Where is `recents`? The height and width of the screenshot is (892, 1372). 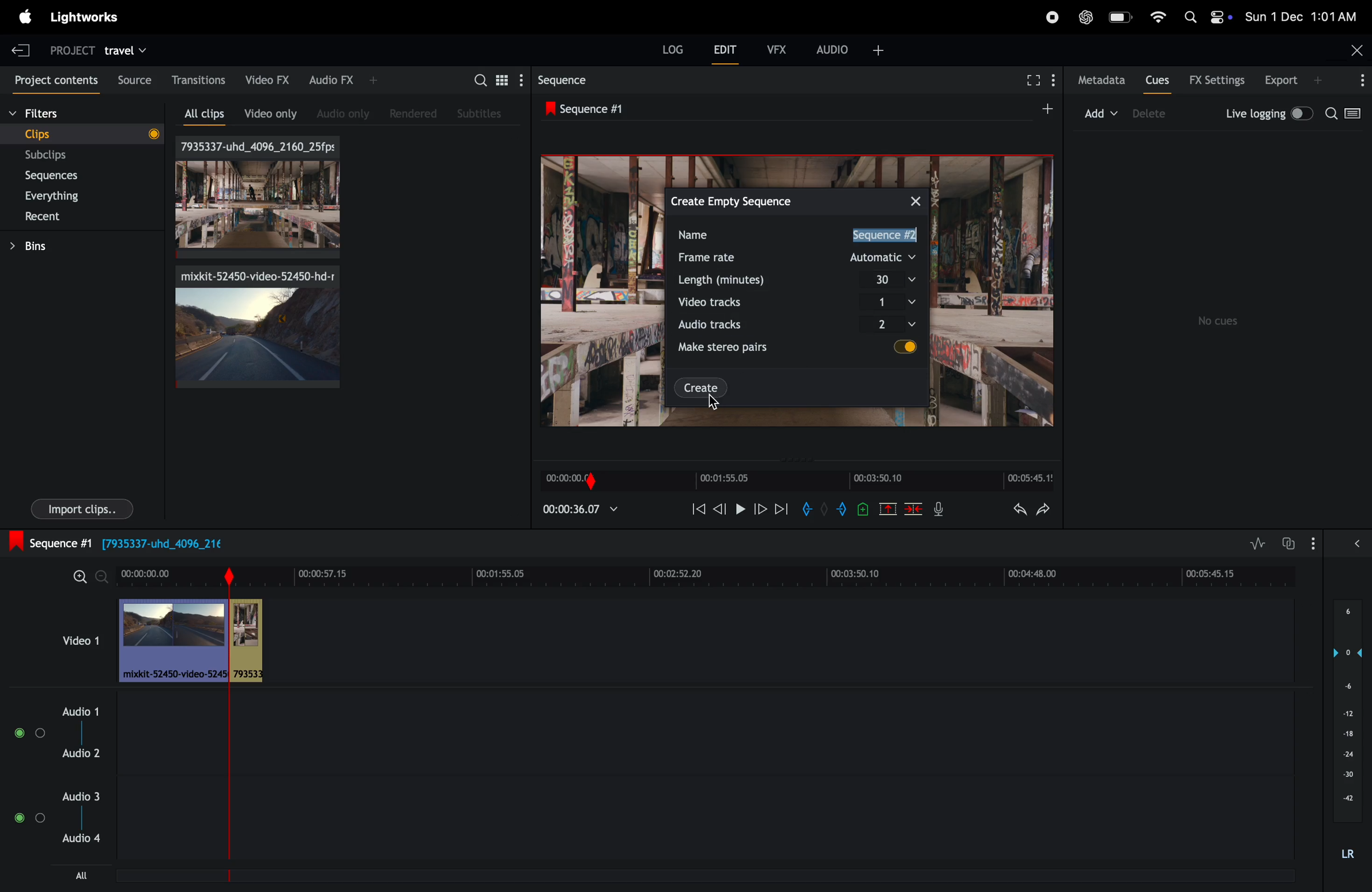
recents is located at coordinates (86, 217).